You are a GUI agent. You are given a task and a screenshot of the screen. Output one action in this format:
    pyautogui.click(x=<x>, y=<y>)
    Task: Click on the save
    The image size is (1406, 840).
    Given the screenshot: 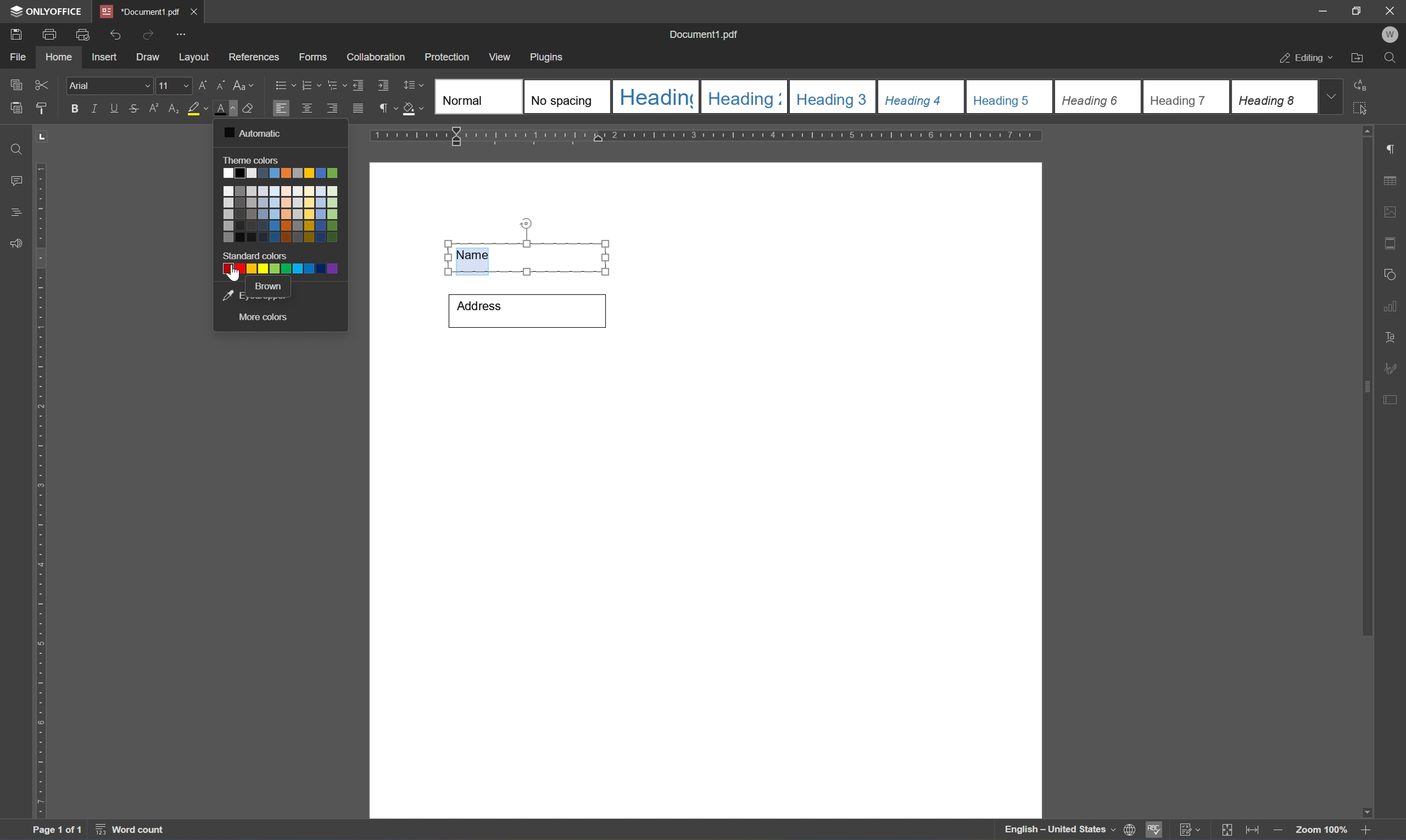 What is the action you would take?
    pyautogui.click(x=16, y=33)
    